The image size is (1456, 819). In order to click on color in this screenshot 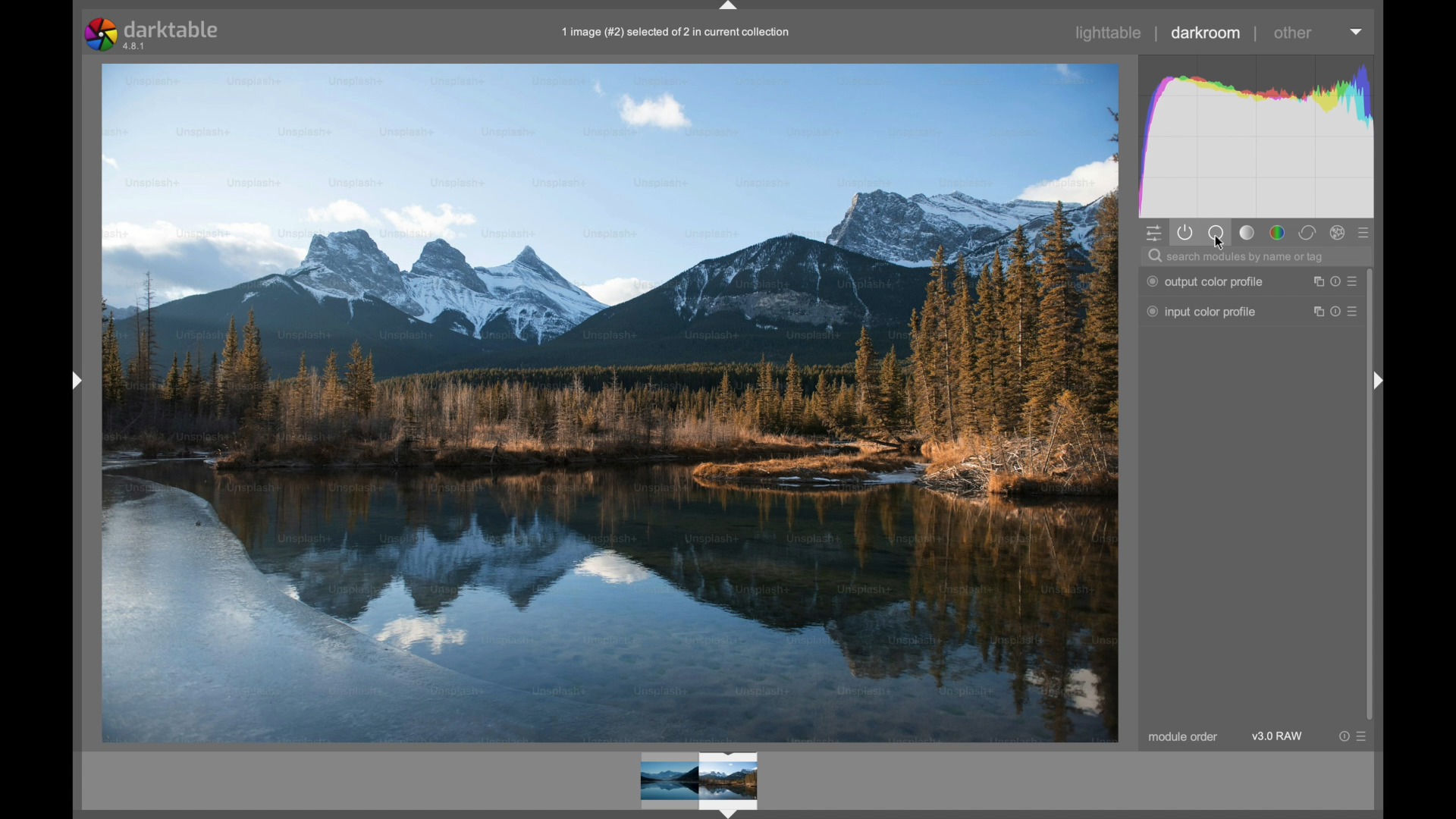, I will do `click(1278, 233)`.